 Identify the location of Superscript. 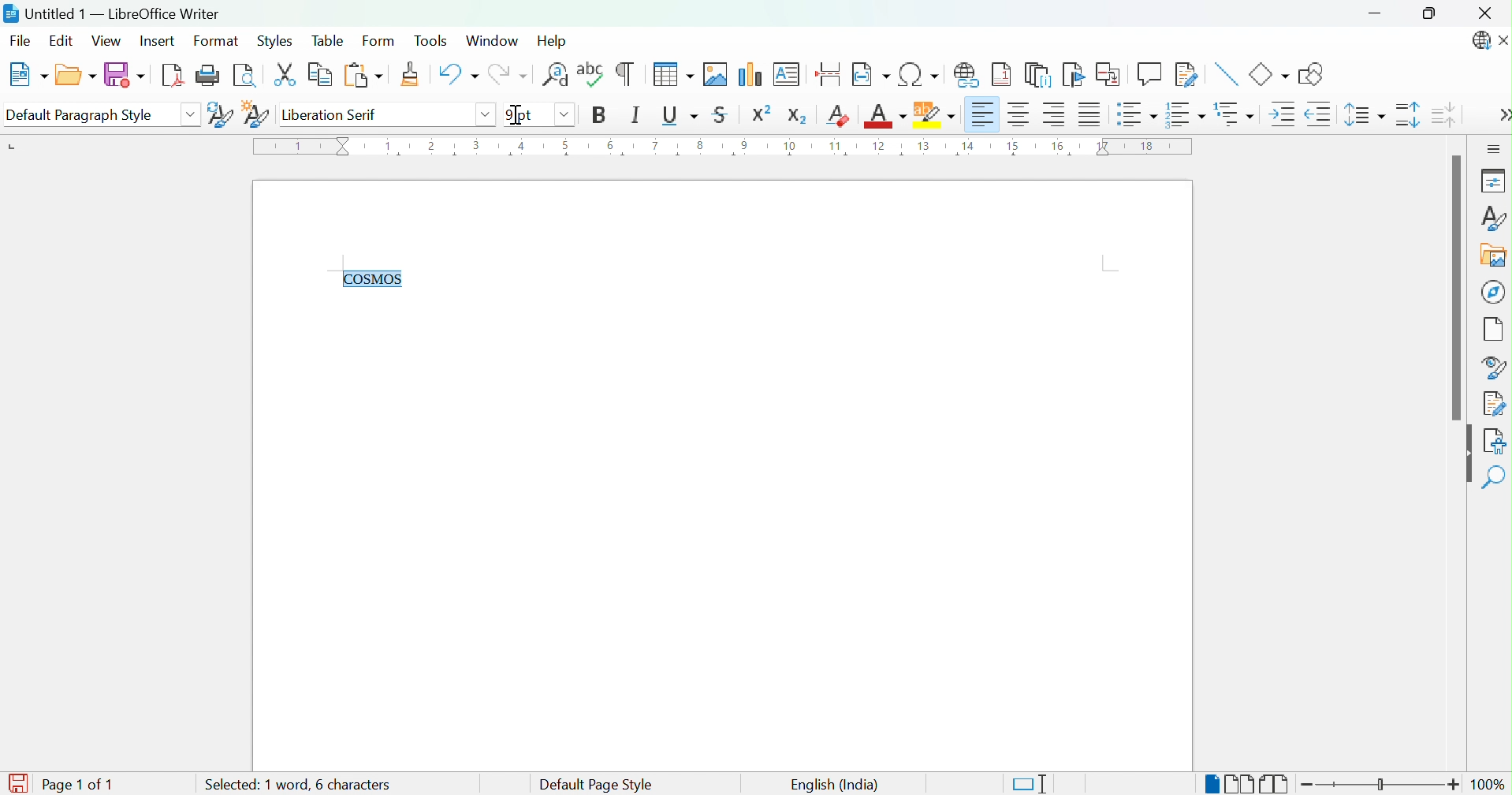
(764, 114).